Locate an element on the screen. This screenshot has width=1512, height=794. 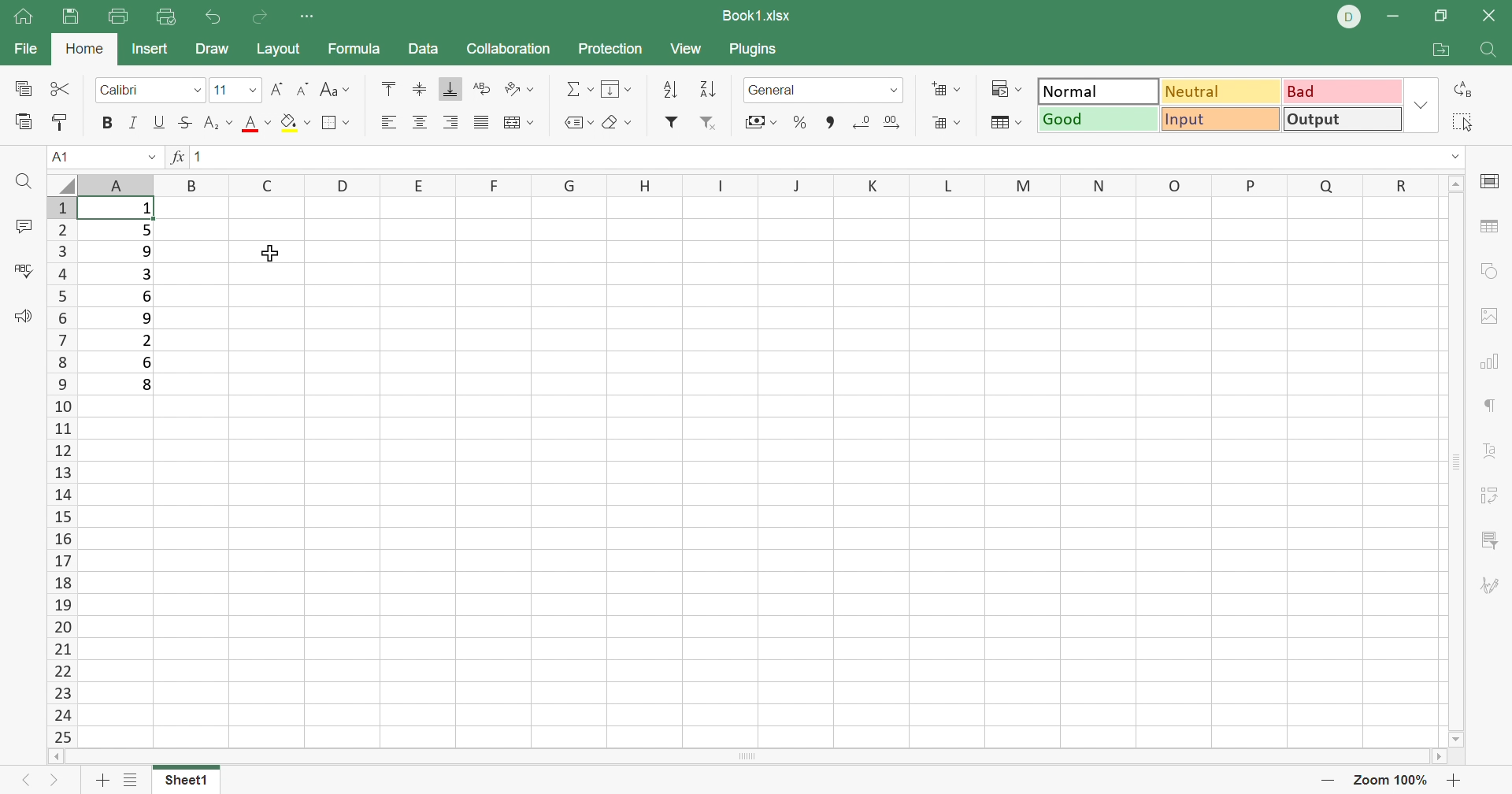
Home is located at coordinates (85, 49).